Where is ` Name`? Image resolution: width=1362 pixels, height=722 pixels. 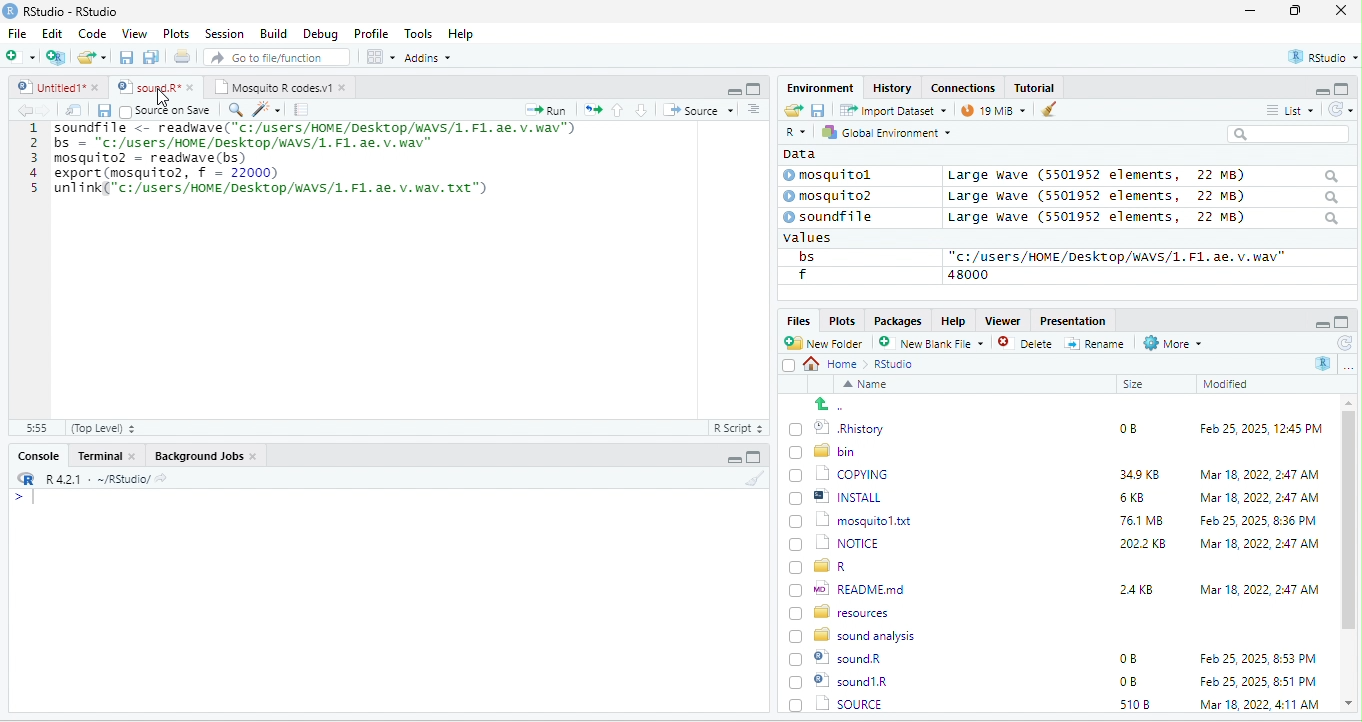
 Name is located at coordinates (869, 386).